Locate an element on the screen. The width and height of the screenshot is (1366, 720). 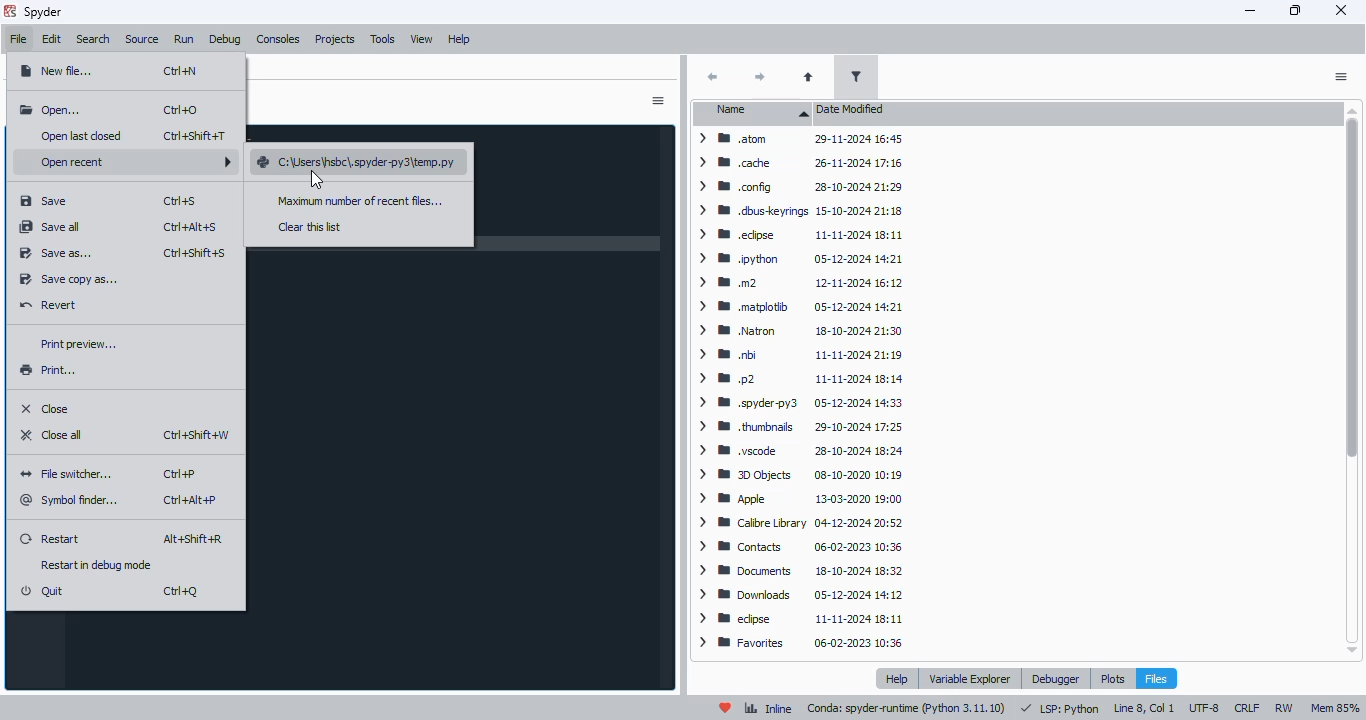
save copy as is located at coordinates (68, 280).